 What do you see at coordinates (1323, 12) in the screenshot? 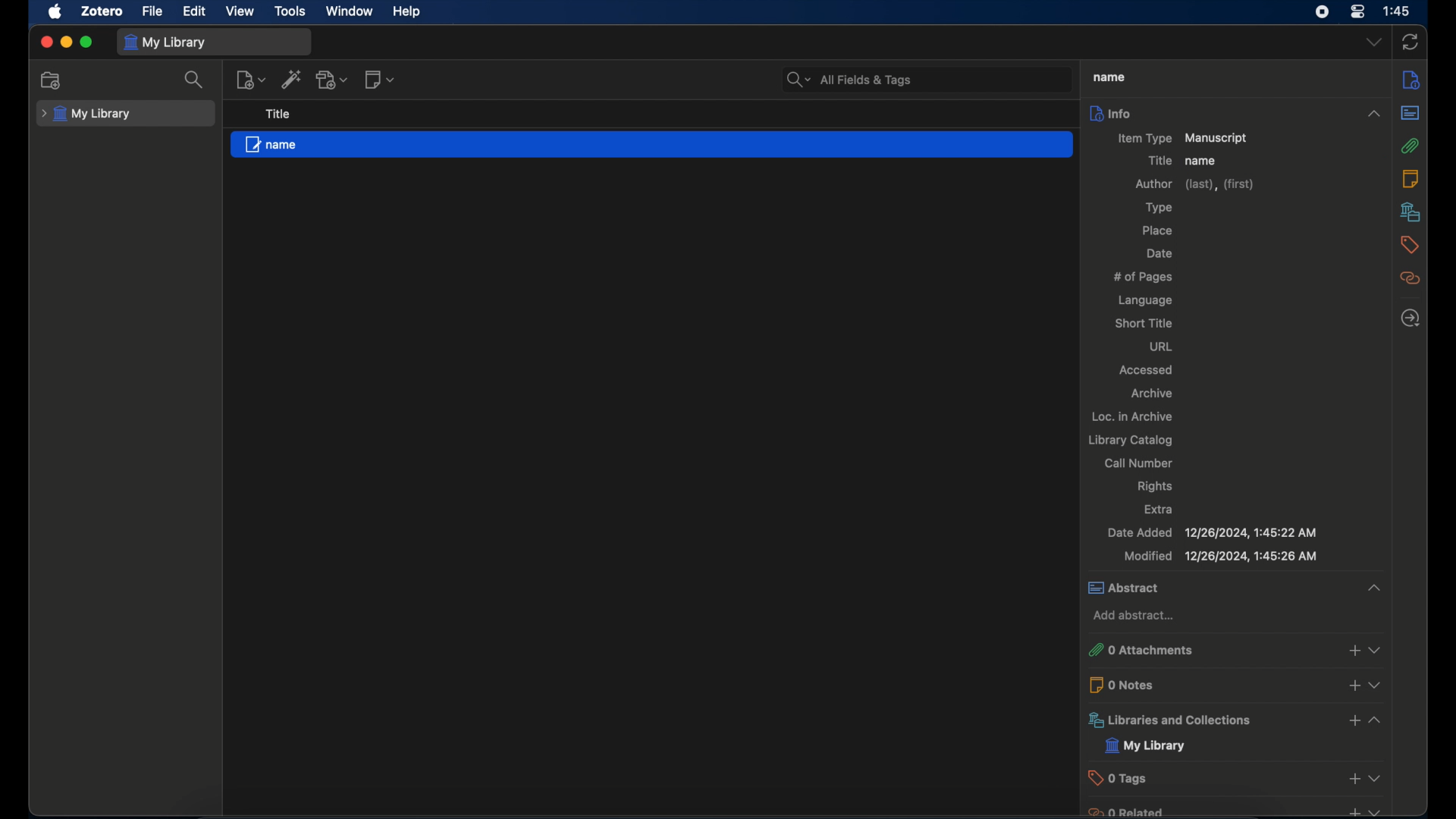
I see `screen recorder` at bounding box center [1323, 12].